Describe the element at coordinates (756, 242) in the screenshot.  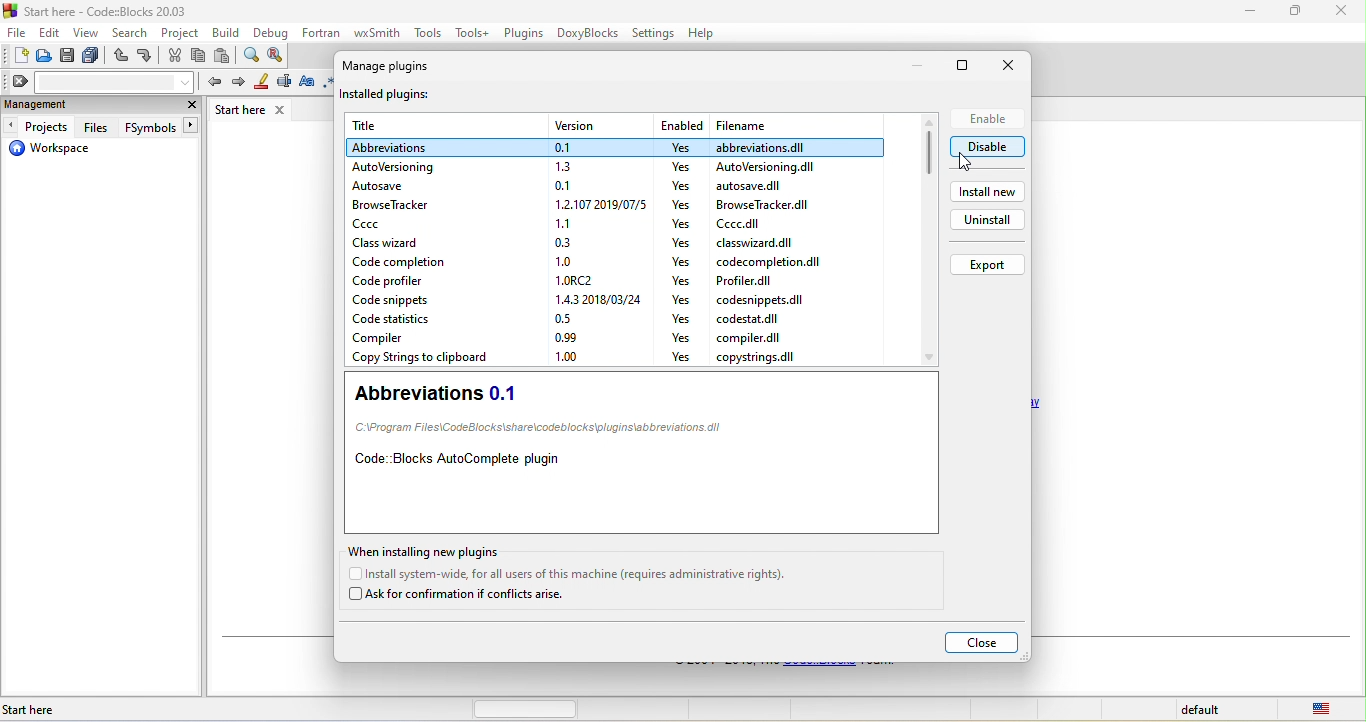
I see `file` at that location.